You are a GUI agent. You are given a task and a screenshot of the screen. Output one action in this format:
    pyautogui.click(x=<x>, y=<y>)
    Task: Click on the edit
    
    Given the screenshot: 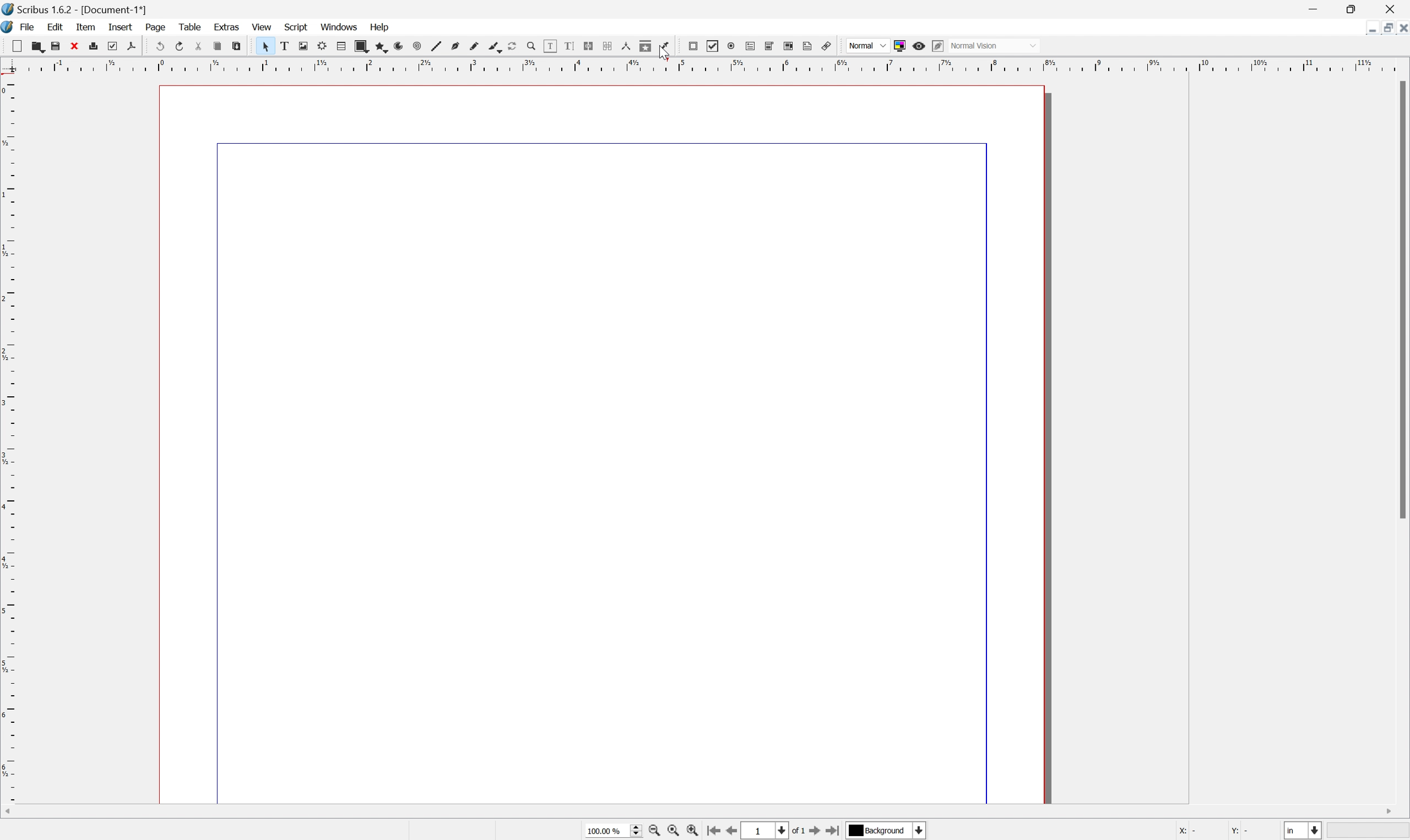 What is the action you would take?
    pyautogui.click(x=57, y=27)
    